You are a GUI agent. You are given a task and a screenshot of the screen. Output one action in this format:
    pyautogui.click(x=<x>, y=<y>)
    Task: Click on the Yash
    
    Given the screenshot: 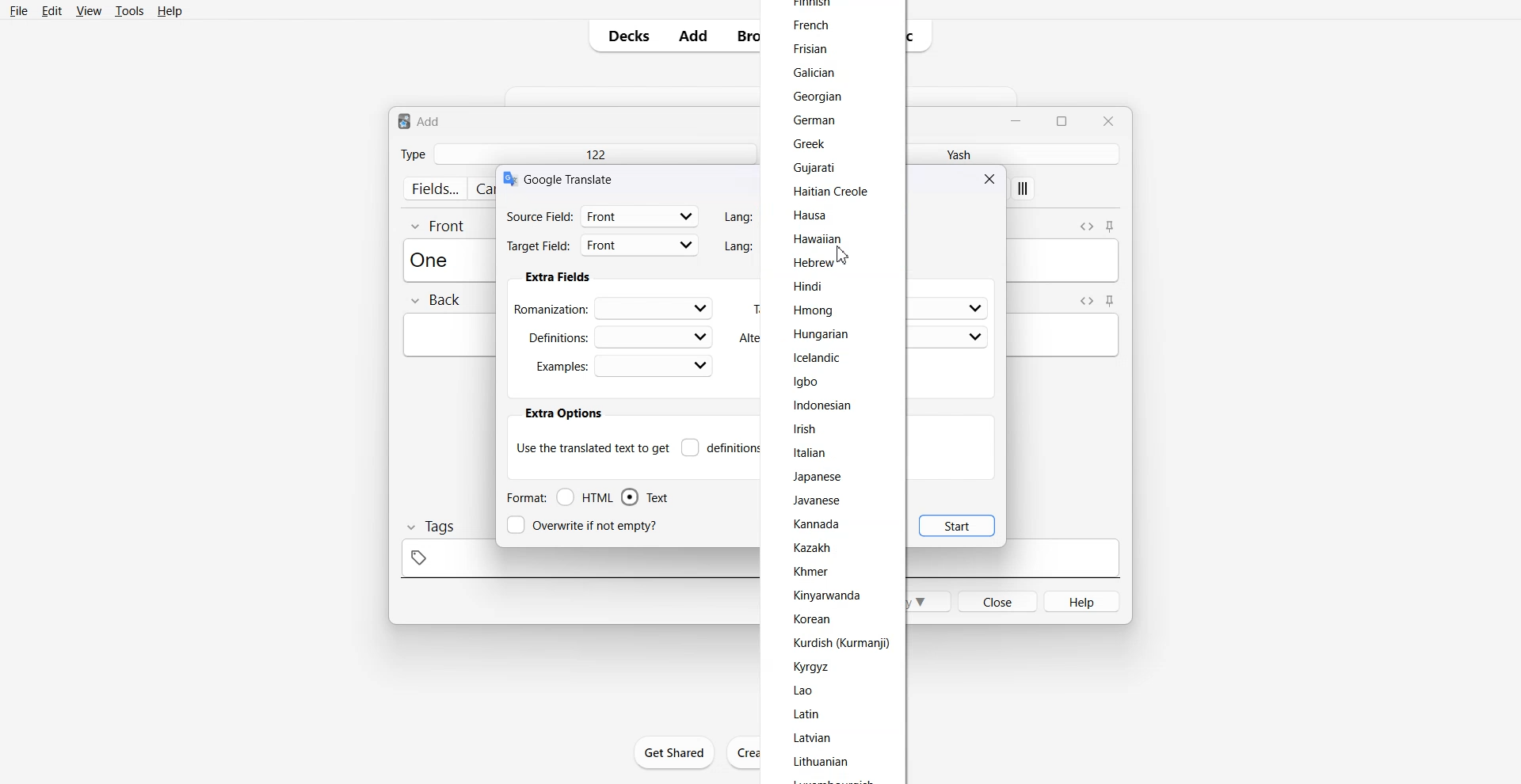 What is the action you would take?
    pyautogui.click(x=955, y=154)
    